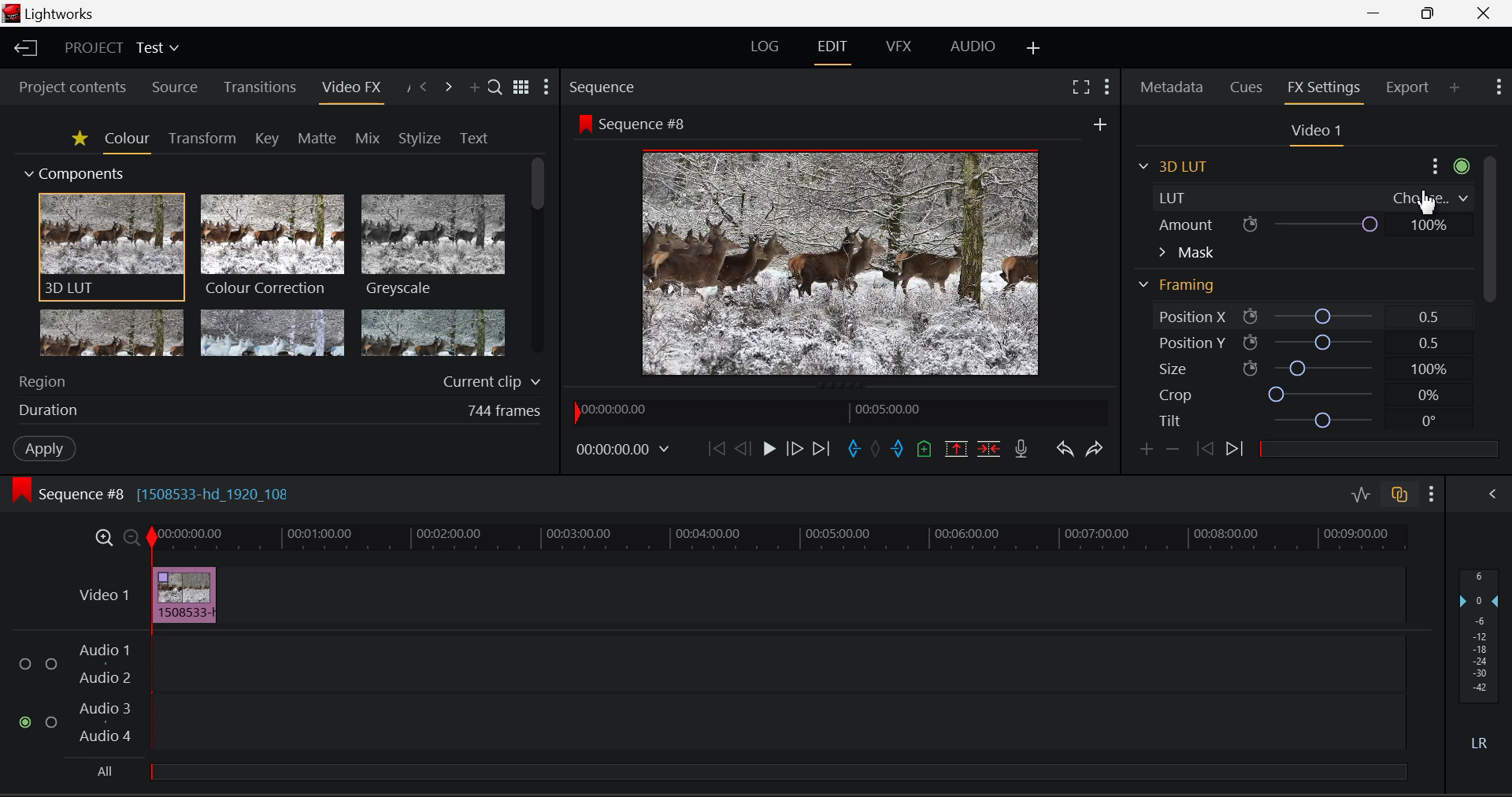 The width and height of the screenshot is (1512, 797). Describe the element at coordinates (107, 708) in the screenshot. I see `Audio 3` at that location.